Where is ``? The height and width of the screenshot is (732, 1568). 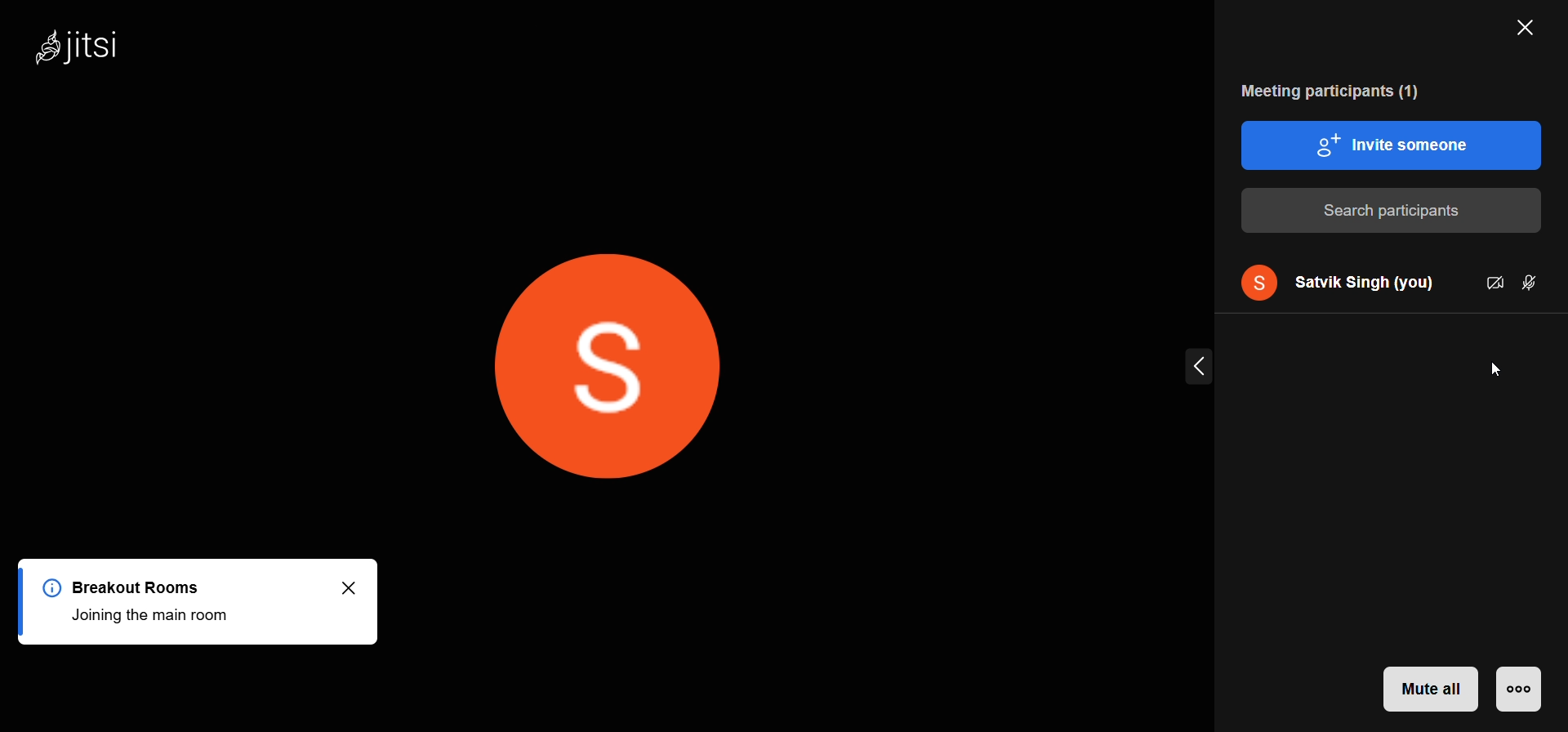  is located at coordinates (290, 648).